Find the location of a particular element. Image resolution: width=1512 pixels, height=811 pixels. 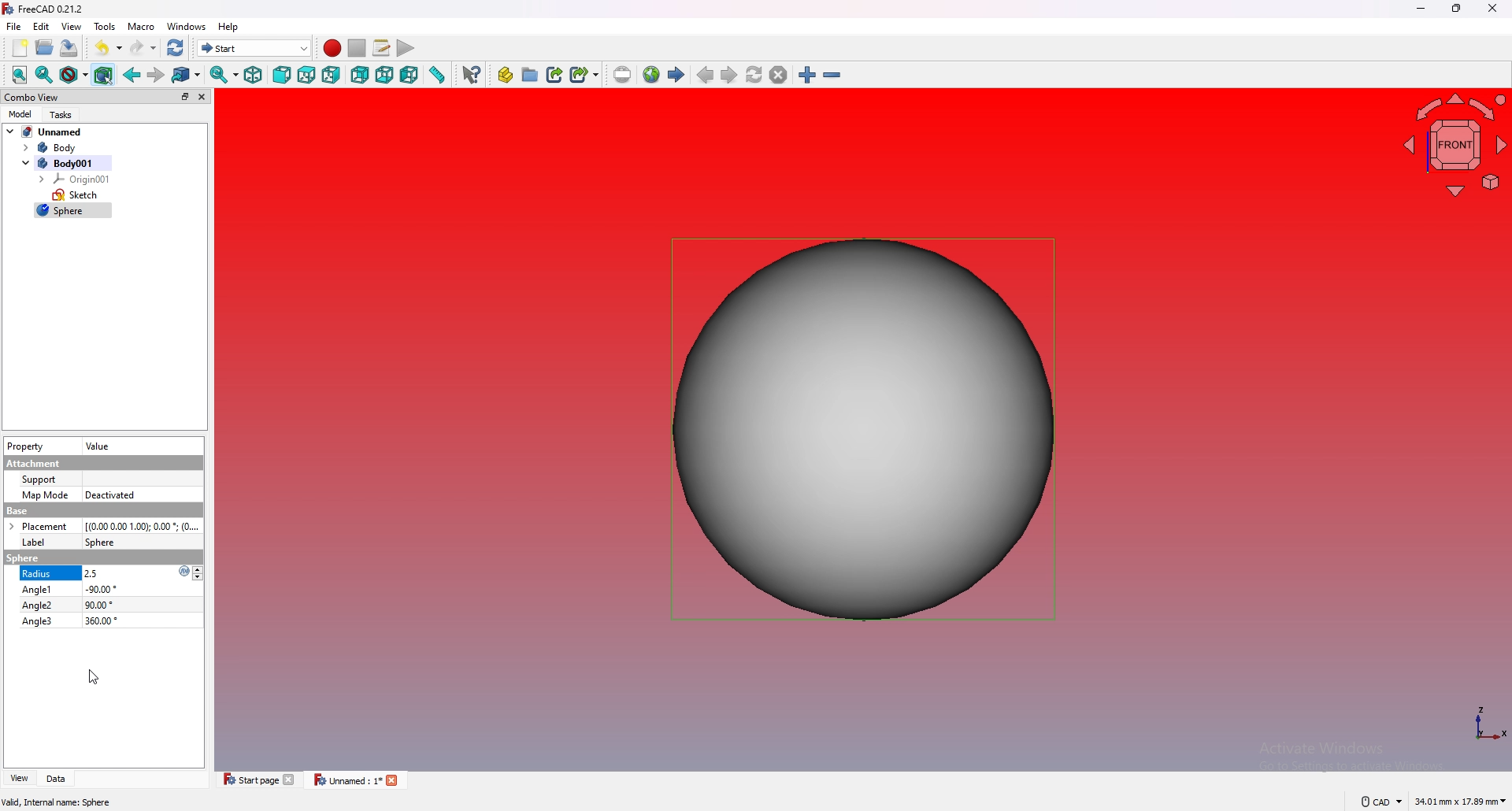

zoom out is located at coordinates (831, 75).